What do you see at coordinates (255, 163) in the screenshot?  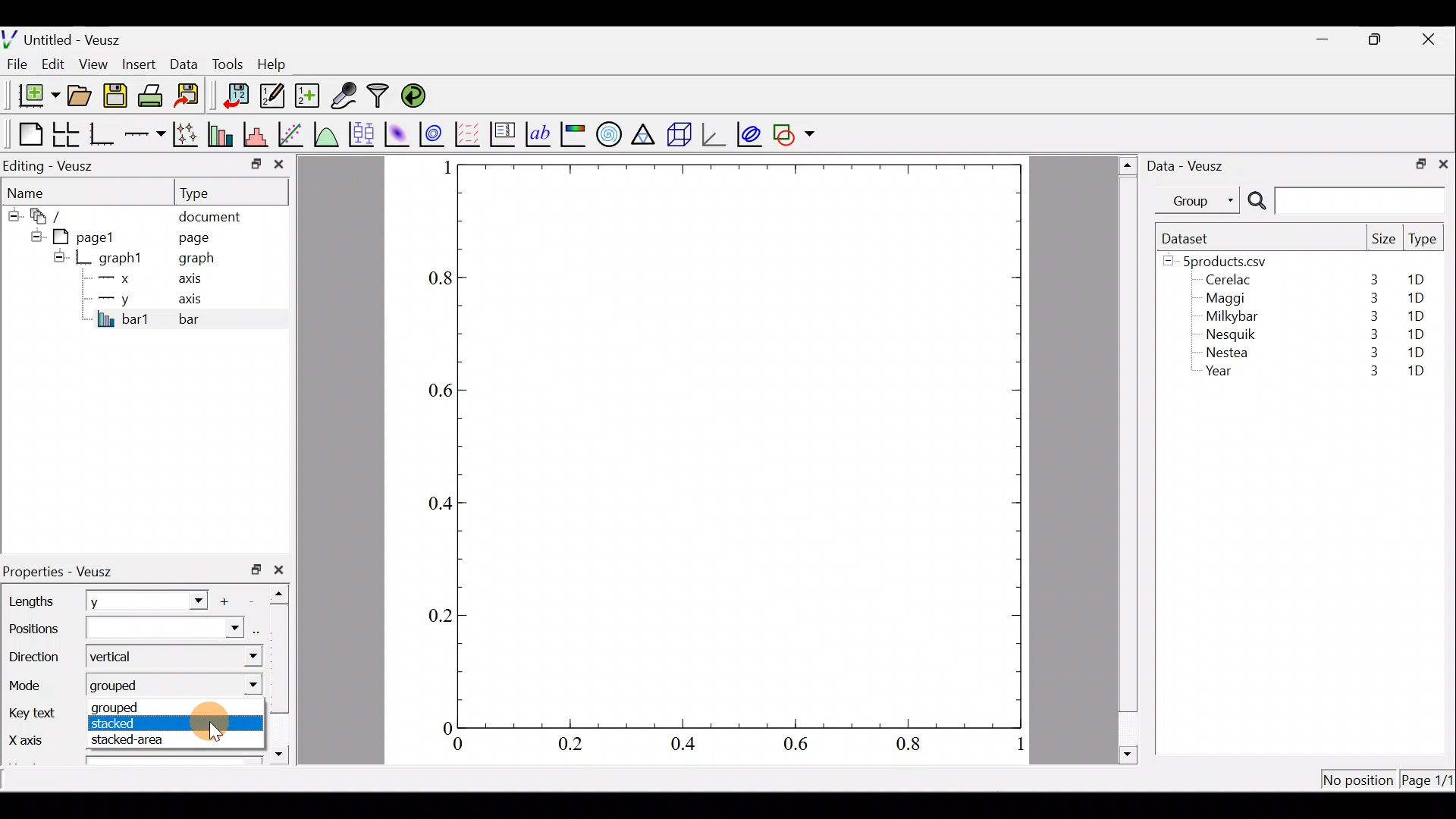 I see `minimize` at bounding box center [255, 163].